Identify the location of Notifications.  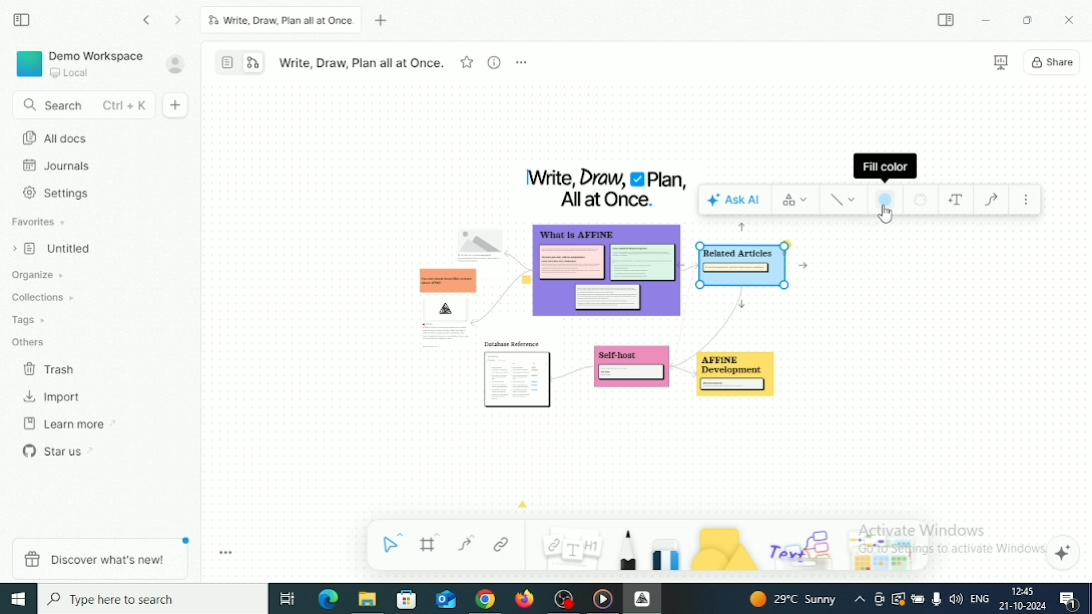
(1067, 600).